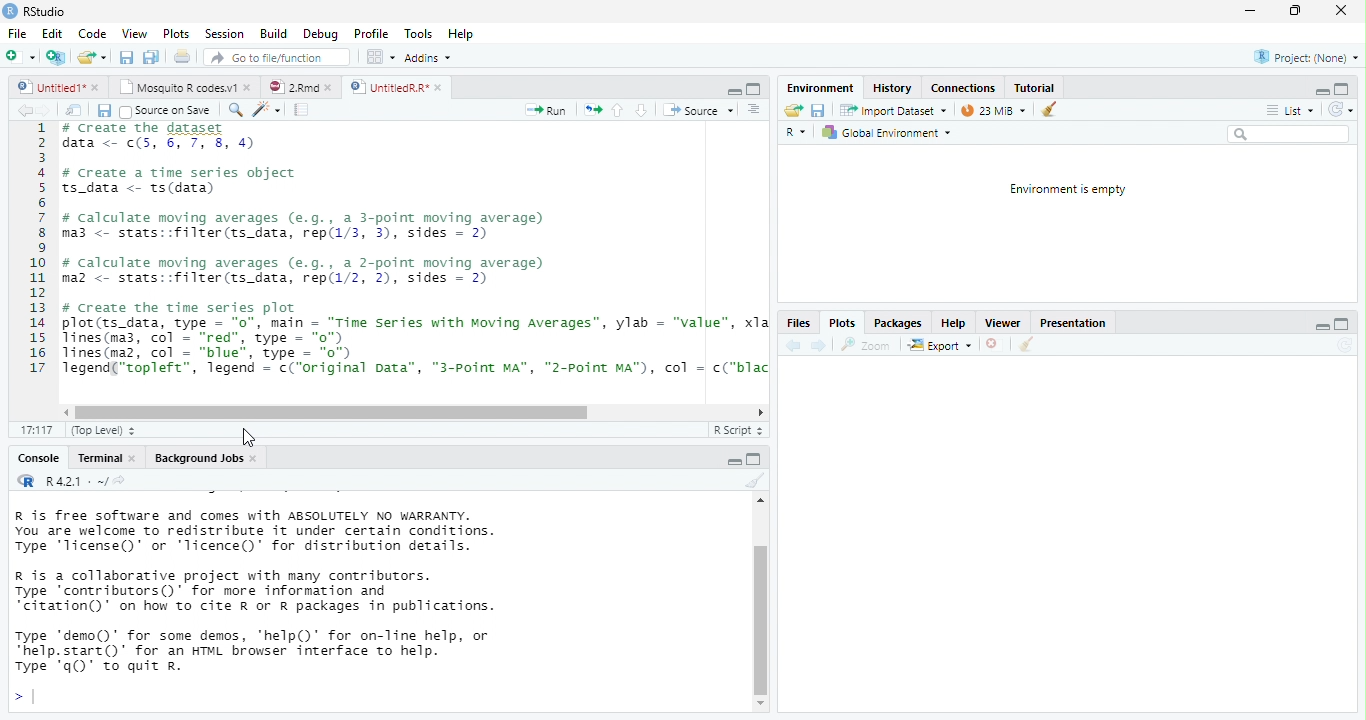  I want to click on View, so click(133, 33).